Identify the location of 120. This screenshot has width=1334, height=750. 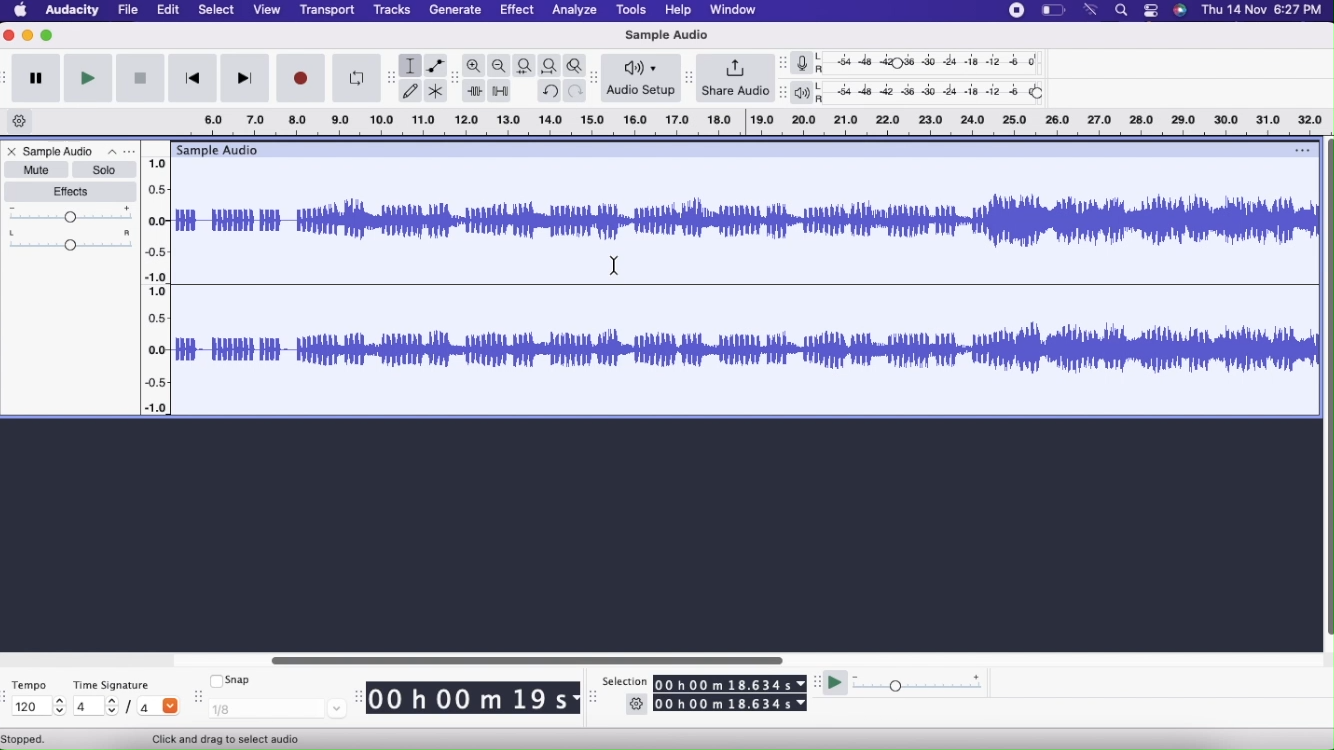
(37, 710).